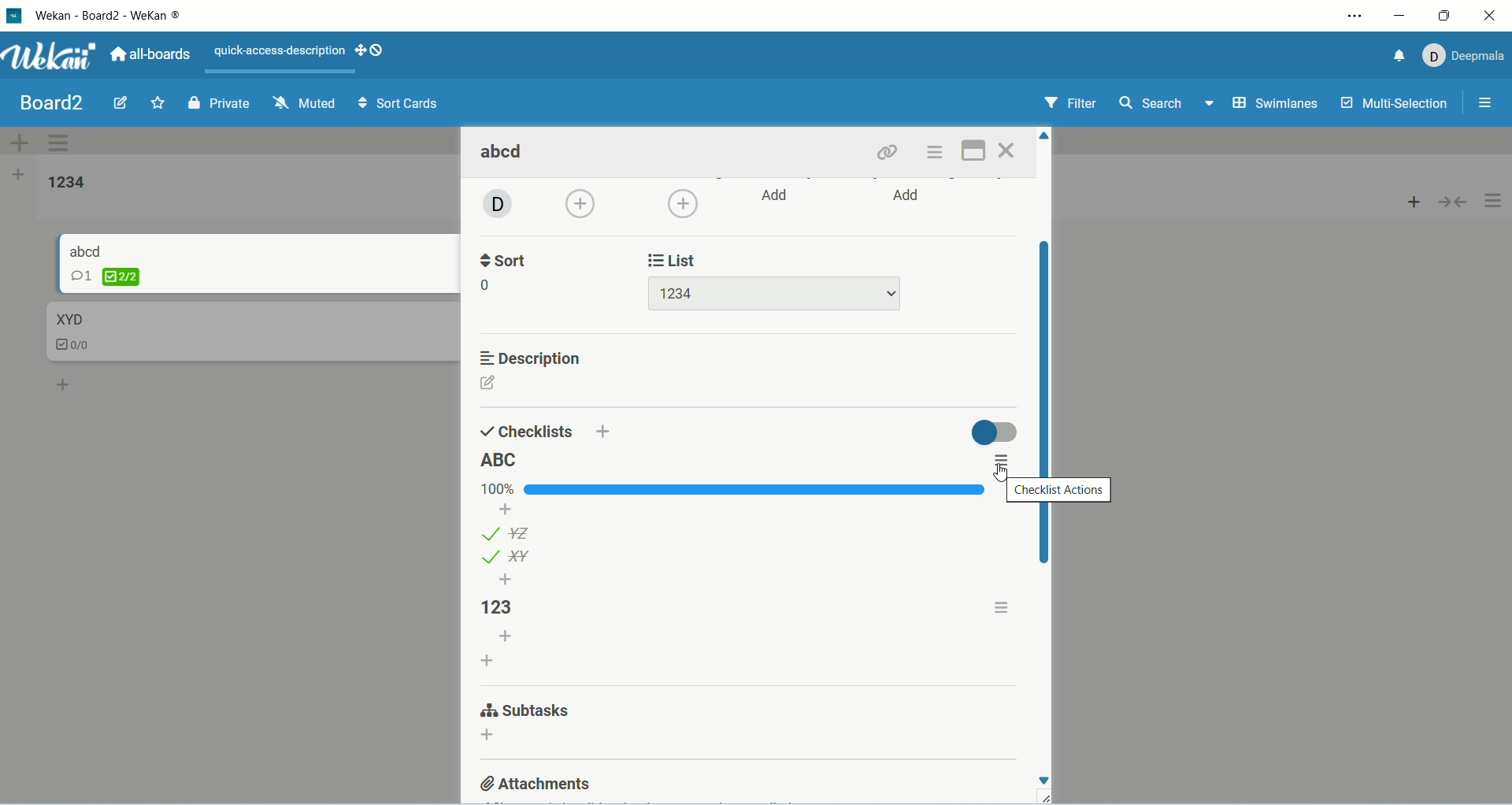 This screenshot has width=1512, height=805. What do you see at coordinates (1061, 490) in the screenshot?
I see `checklist actions` at bounding box center [1061, 490].